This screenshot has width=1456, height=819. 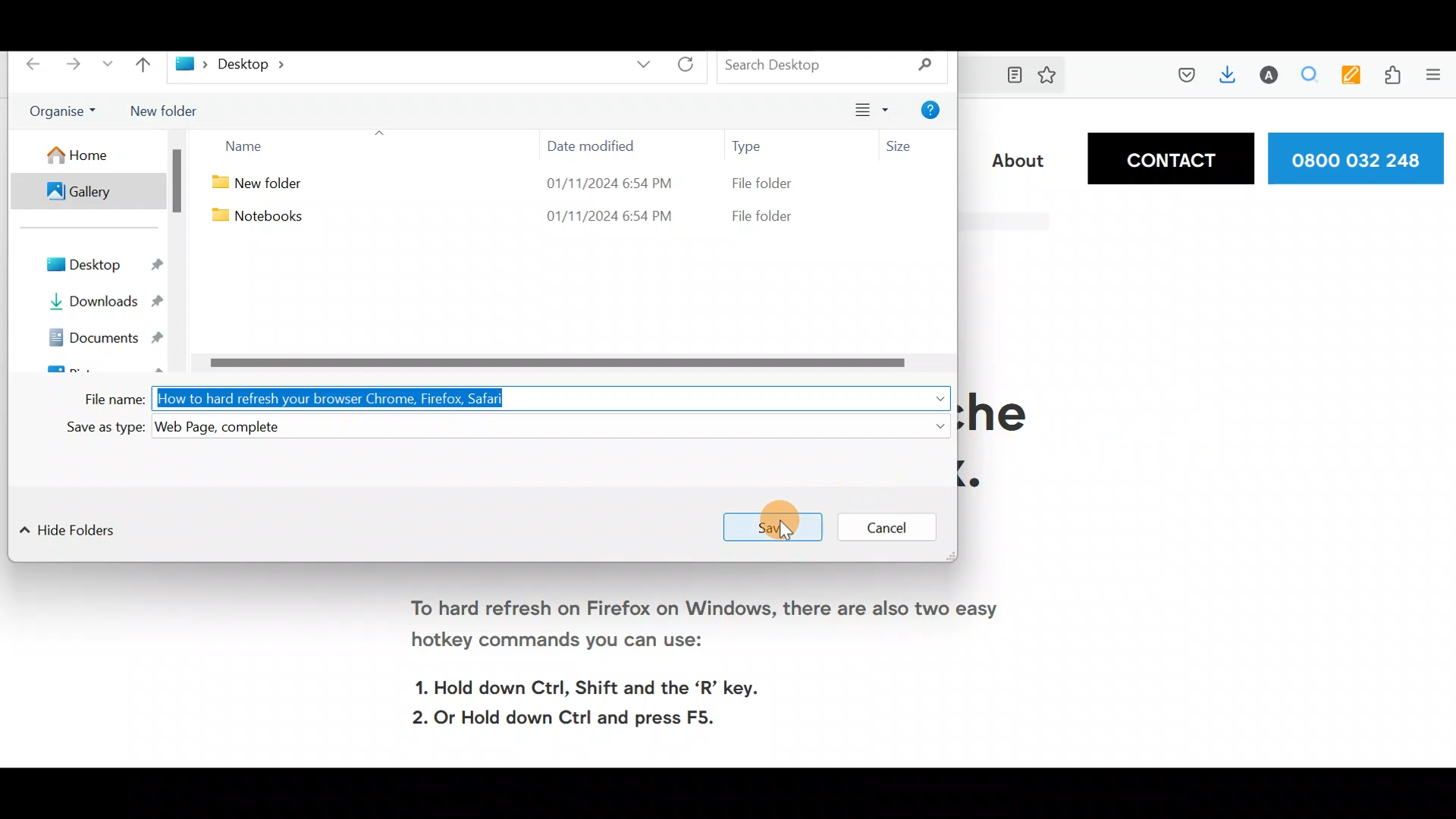 I want to click on Get help, so click(x=935, y=111).